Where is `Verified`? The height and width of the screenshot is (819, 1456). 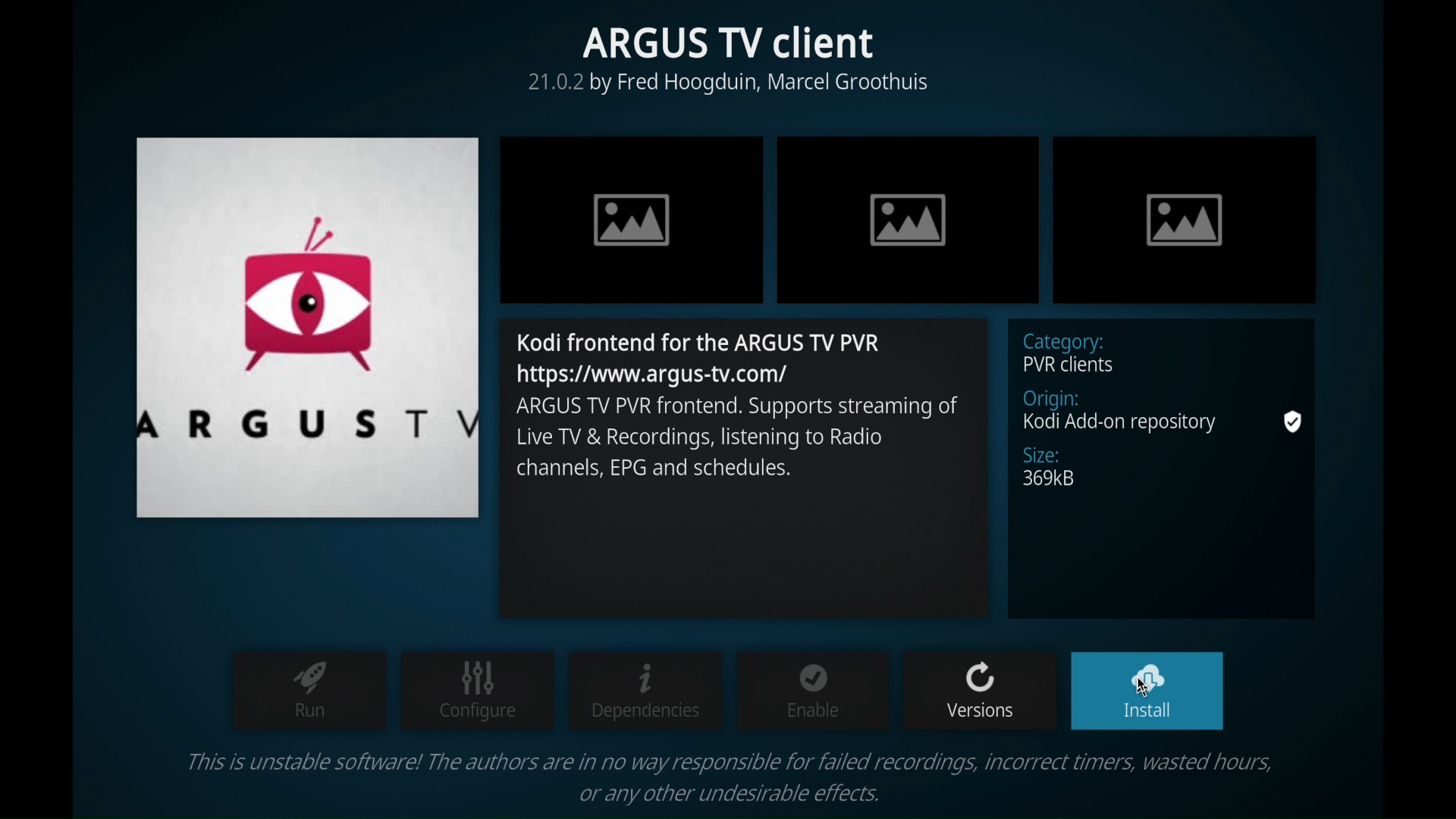 Verified is located at coordinates (1297, 421).